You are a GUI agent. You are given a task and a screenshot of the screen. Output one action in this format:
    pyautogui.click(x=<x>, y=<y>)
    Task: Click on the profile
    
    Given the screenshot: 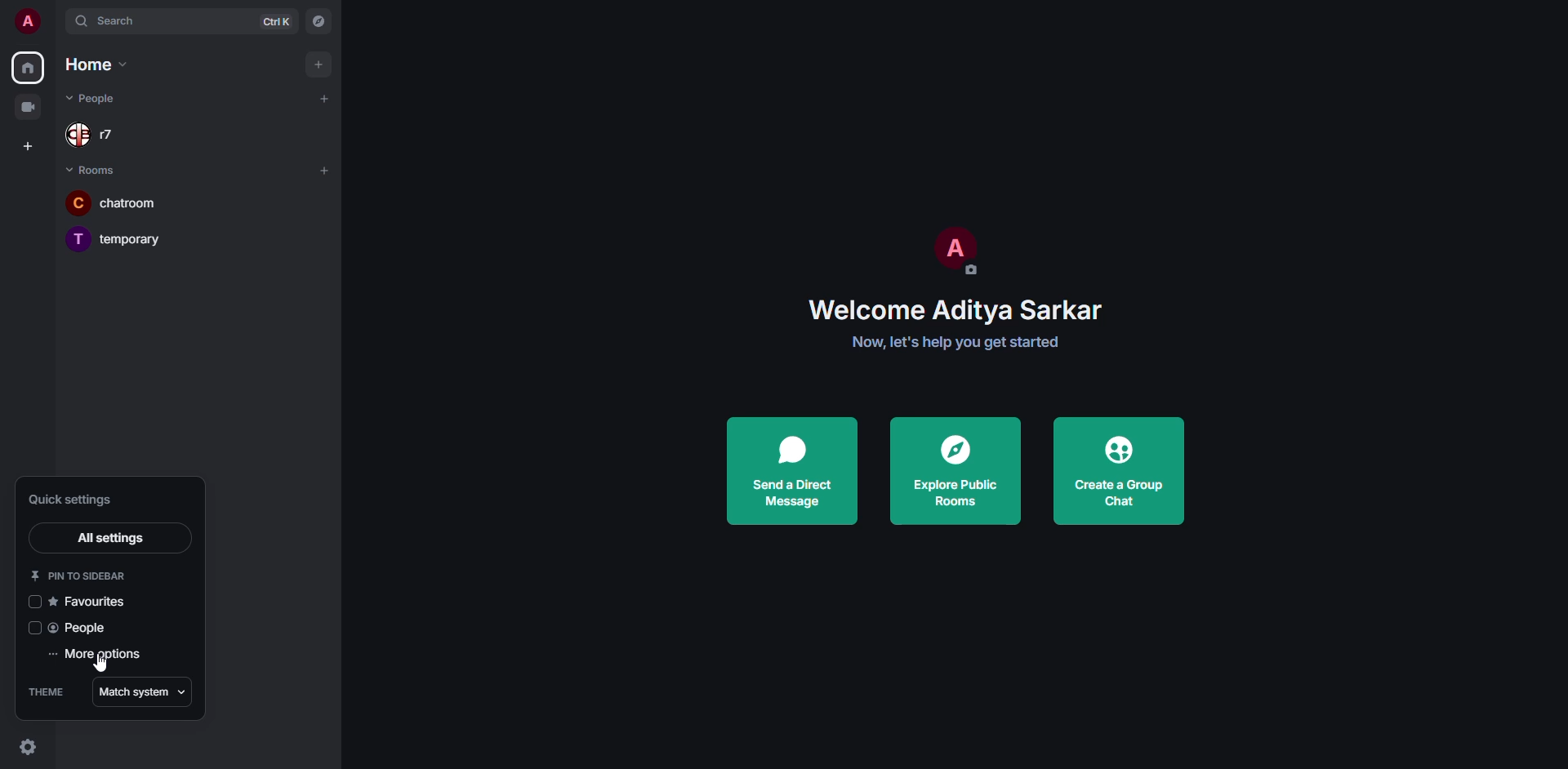 What is the action you would take?
    pyautogui.click(x=30, y=21)
    